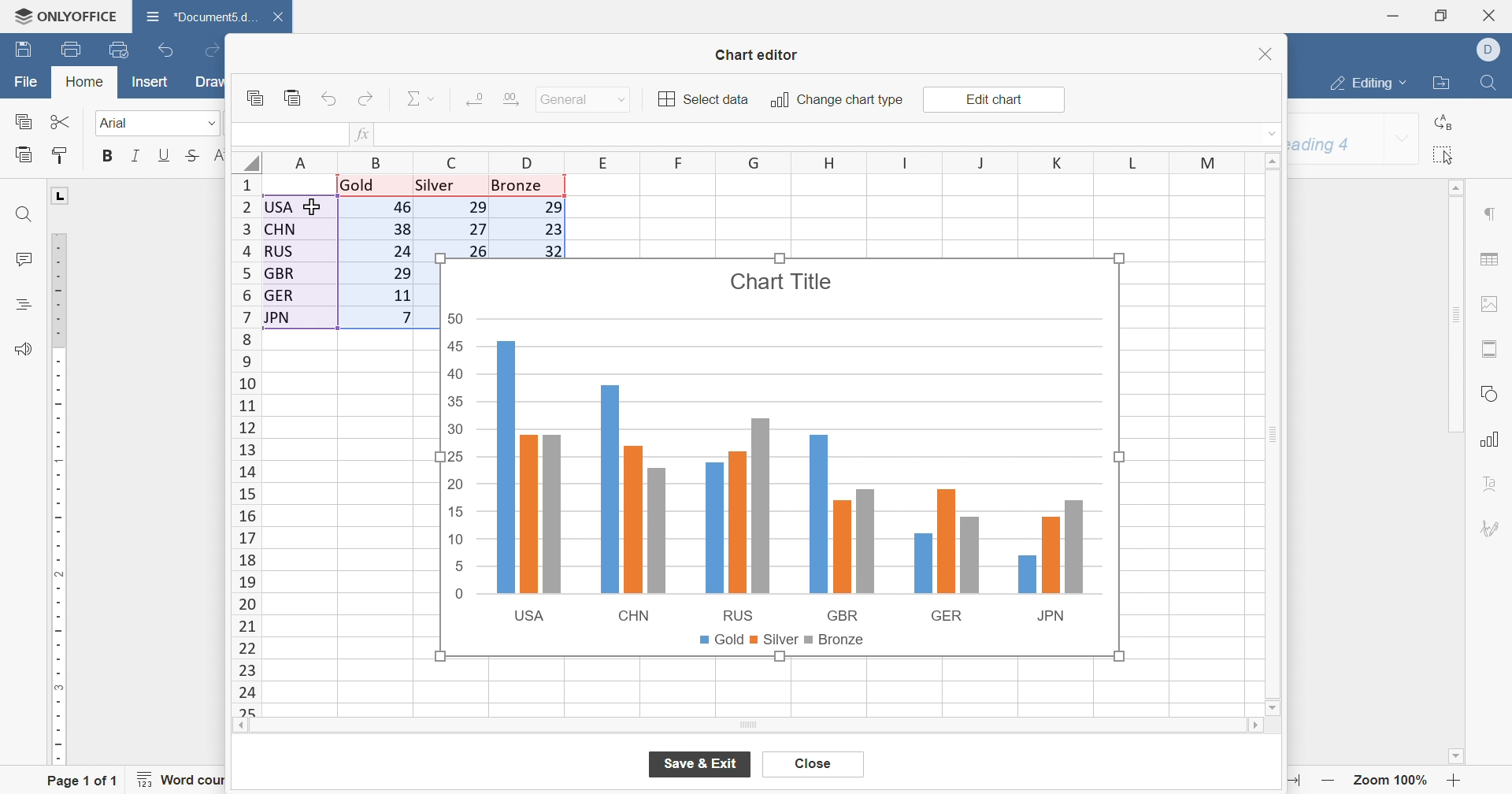 This screenshot has height=794, width=1512. Describe the element at coordinates (782, 460) in the screenshot. I see `Chart` at that location.